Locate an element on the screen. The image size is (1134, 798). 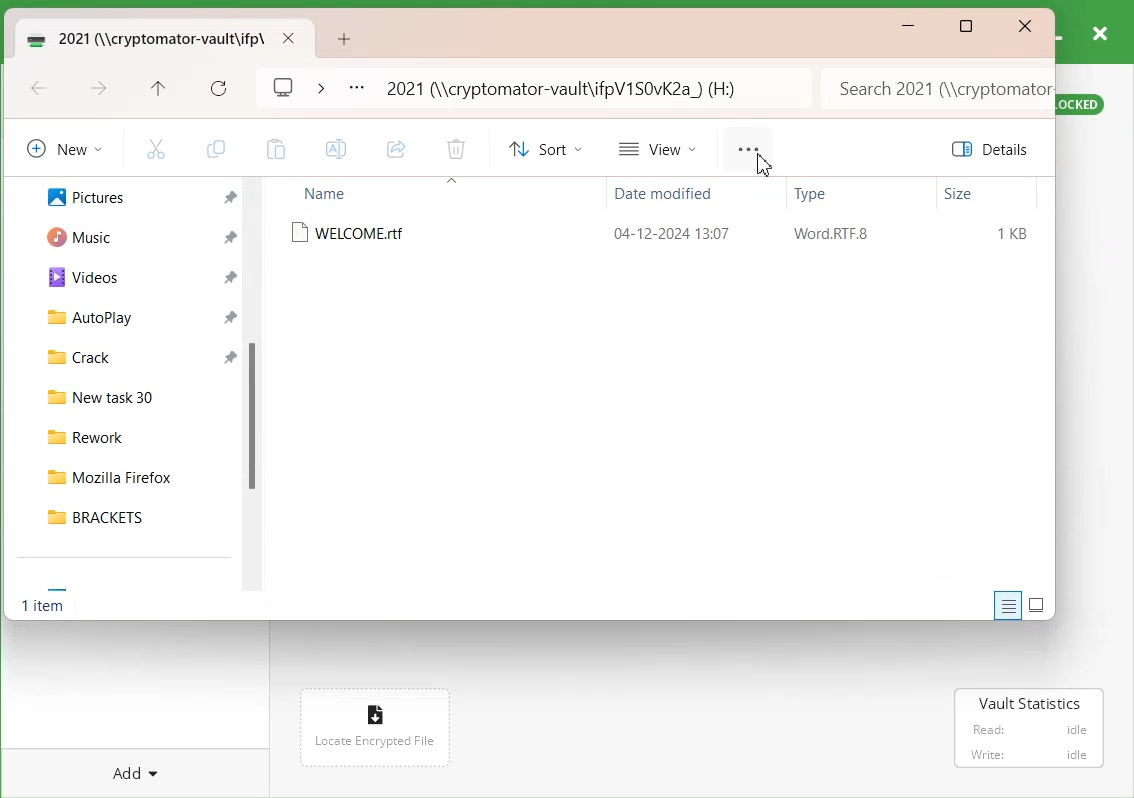
Videos is located at coordinates (77, 276).